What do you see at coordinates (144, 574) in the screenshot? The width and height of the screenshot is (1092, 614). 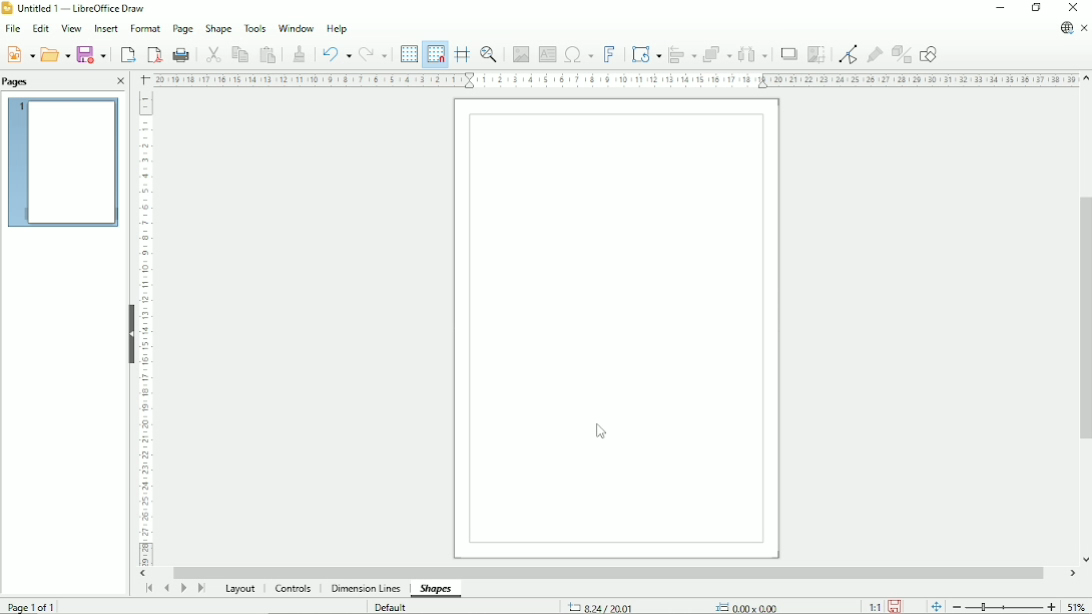 I see `Horizontal scroll button` at bounding box center [144, 574].